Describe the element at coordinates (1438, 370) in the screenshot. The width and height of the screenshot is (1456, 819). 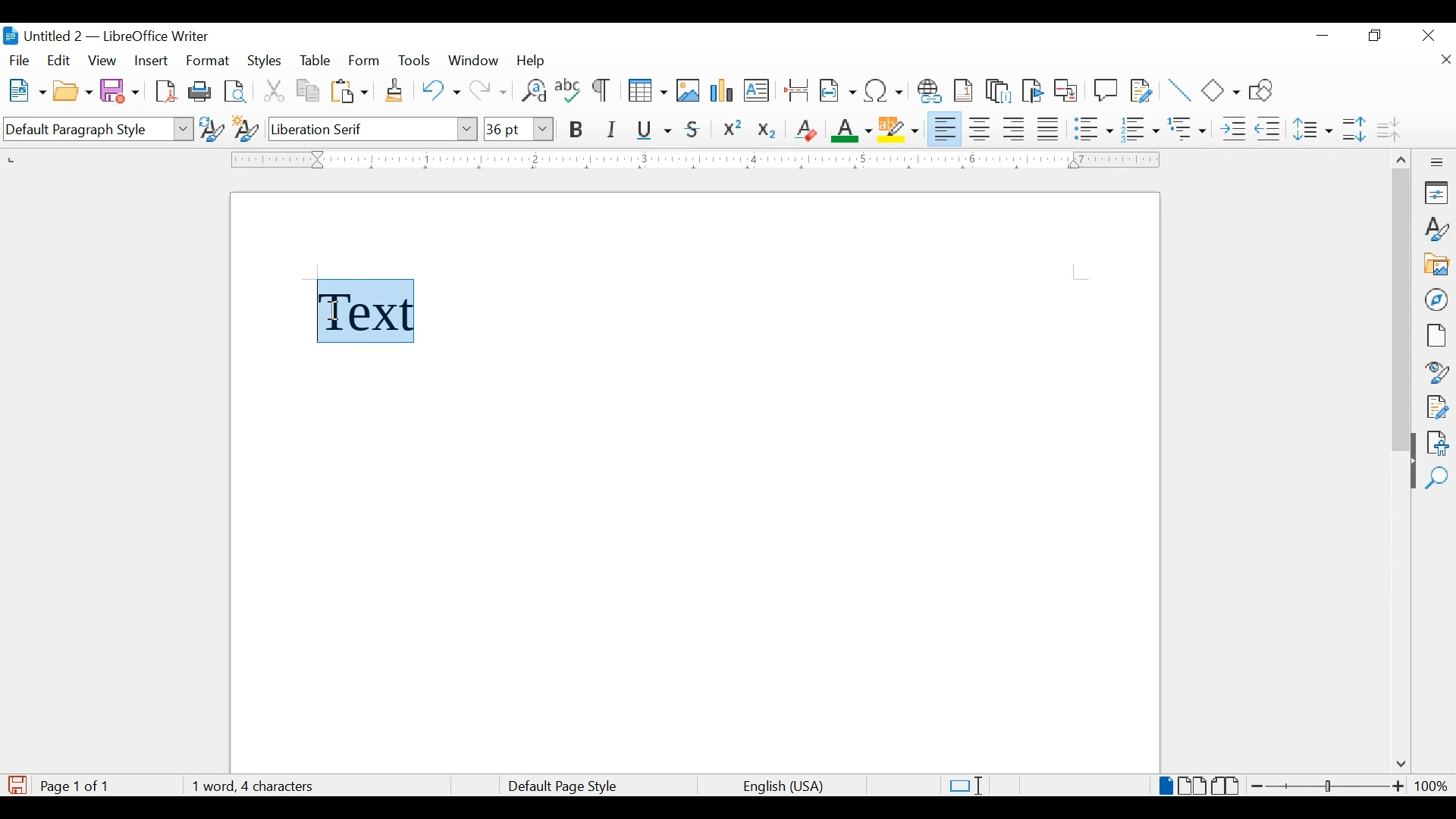
I see `style inspector` at that location.